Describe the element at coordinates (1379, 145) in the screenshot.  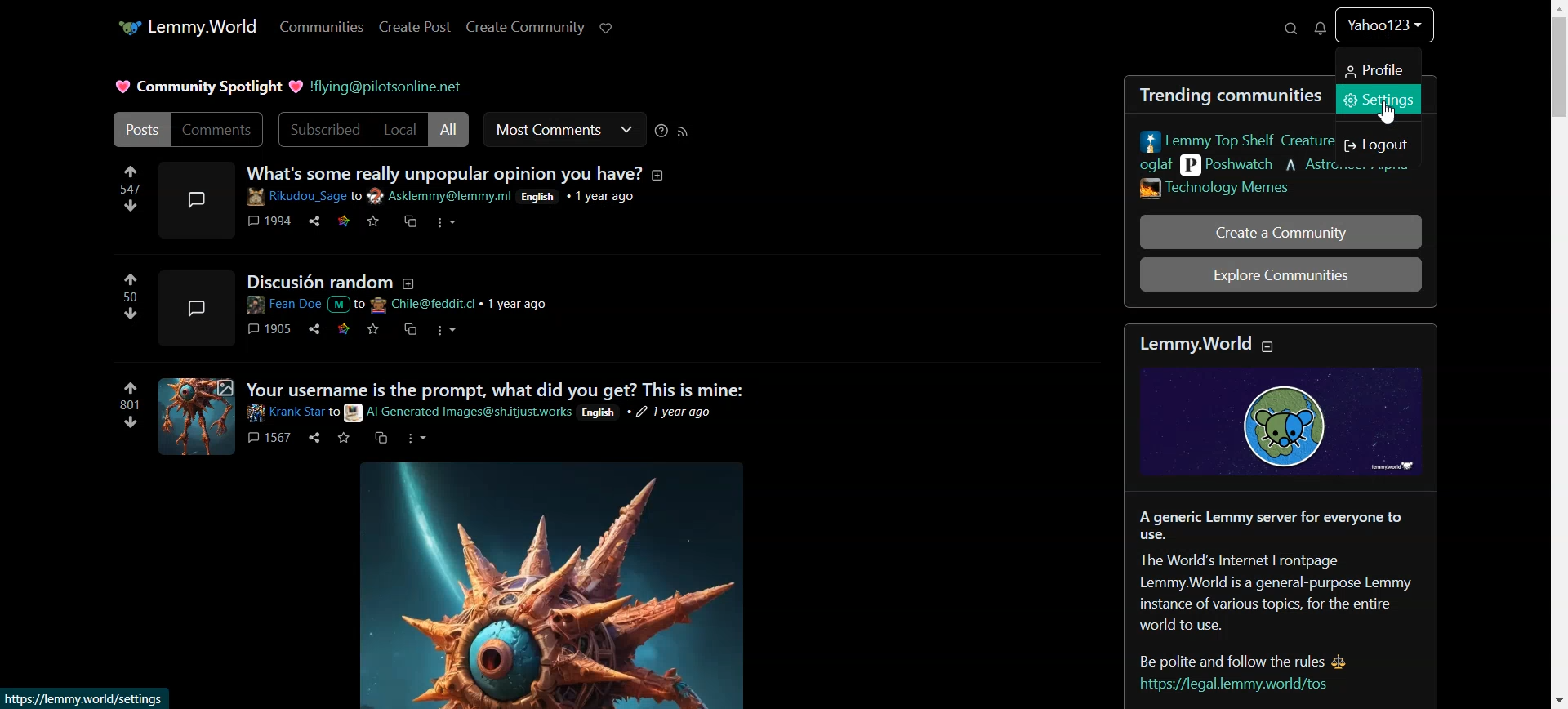
I see `Logout` at that location.